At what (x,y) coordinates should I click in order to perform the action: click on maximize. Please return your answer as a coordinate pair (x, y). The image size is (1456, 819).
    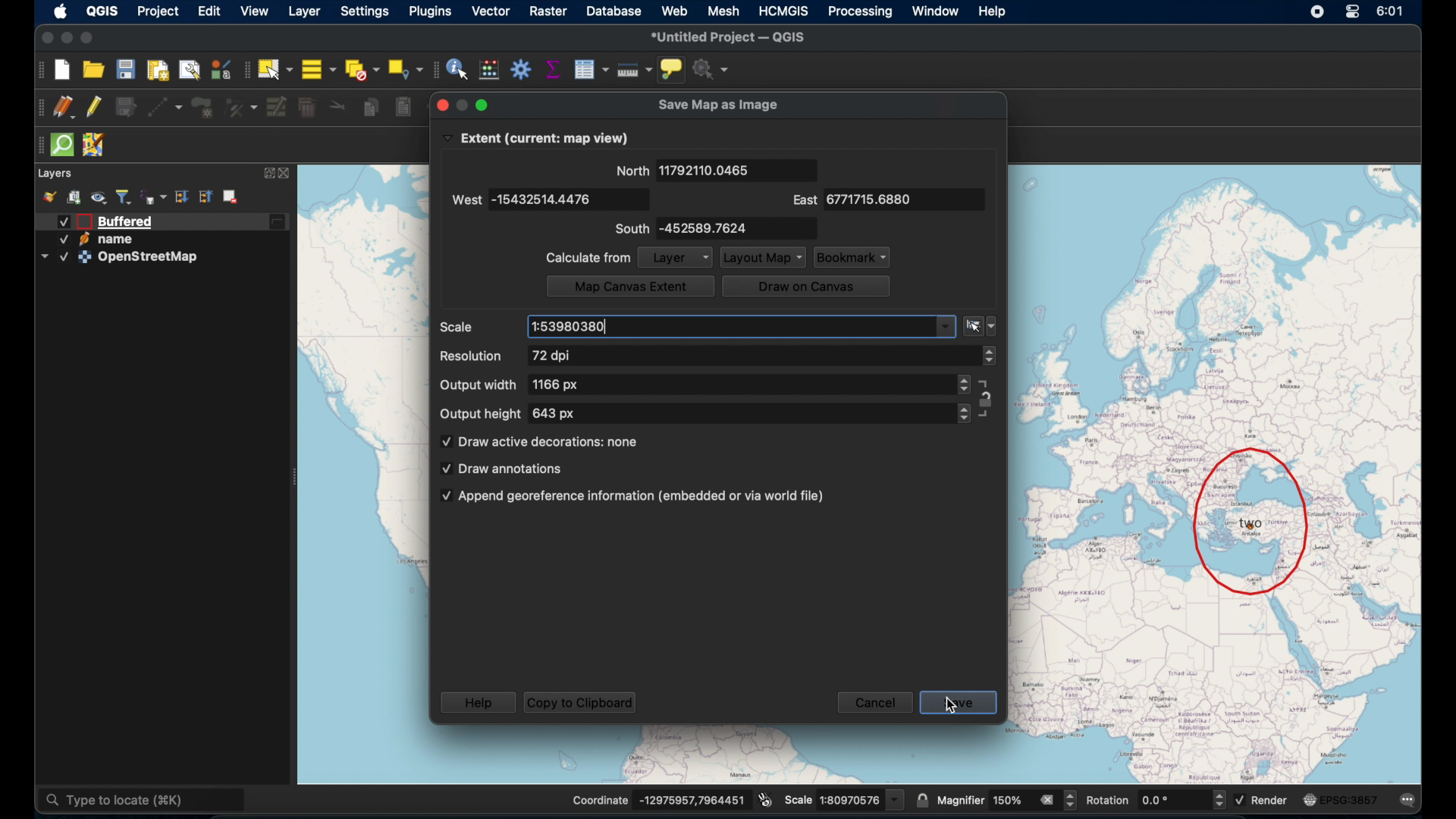
    Looking at the image, I should click on (89, 38).